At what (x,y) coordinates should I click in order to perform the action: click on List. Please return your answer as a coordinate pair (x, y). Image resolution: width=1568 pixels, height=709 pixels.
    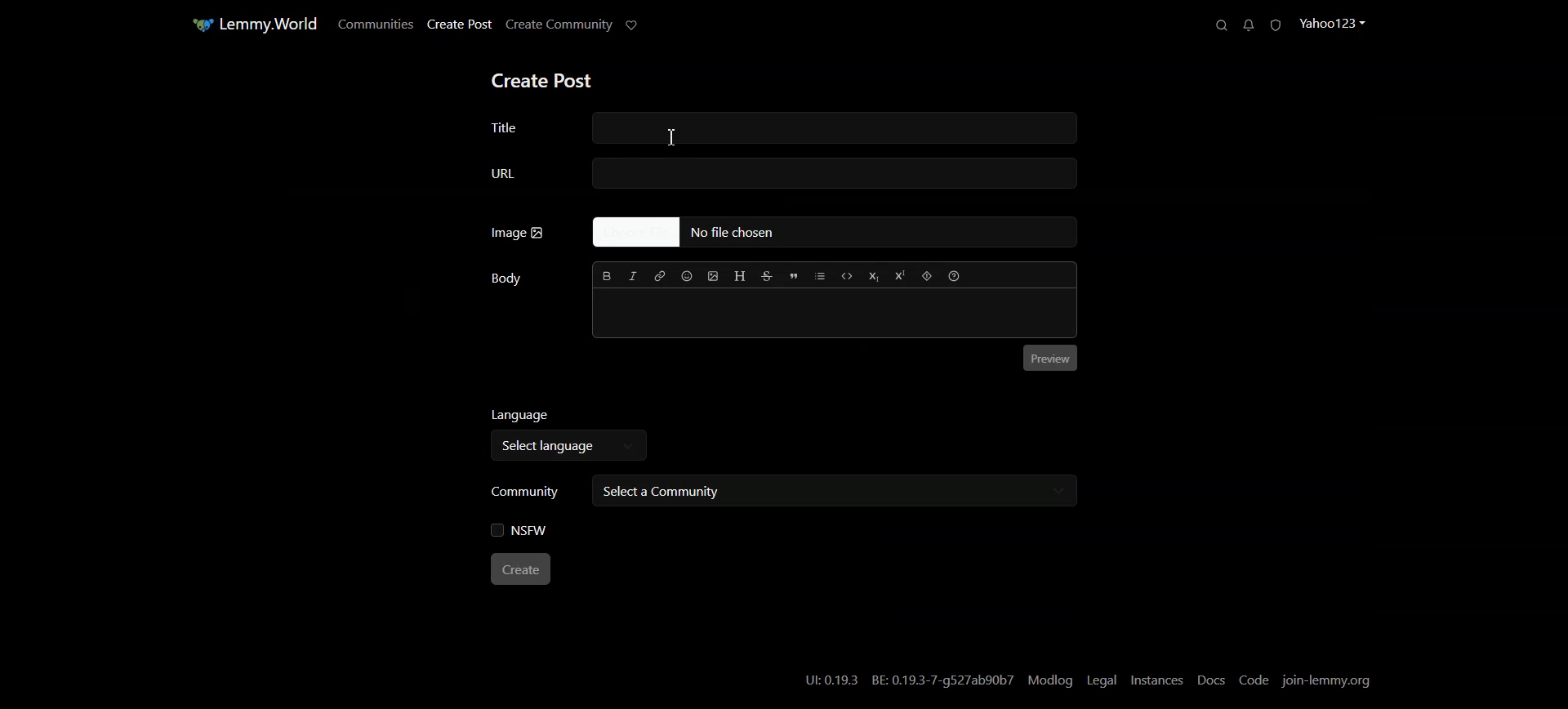
    Looking at the image, I should click on (820, 276).